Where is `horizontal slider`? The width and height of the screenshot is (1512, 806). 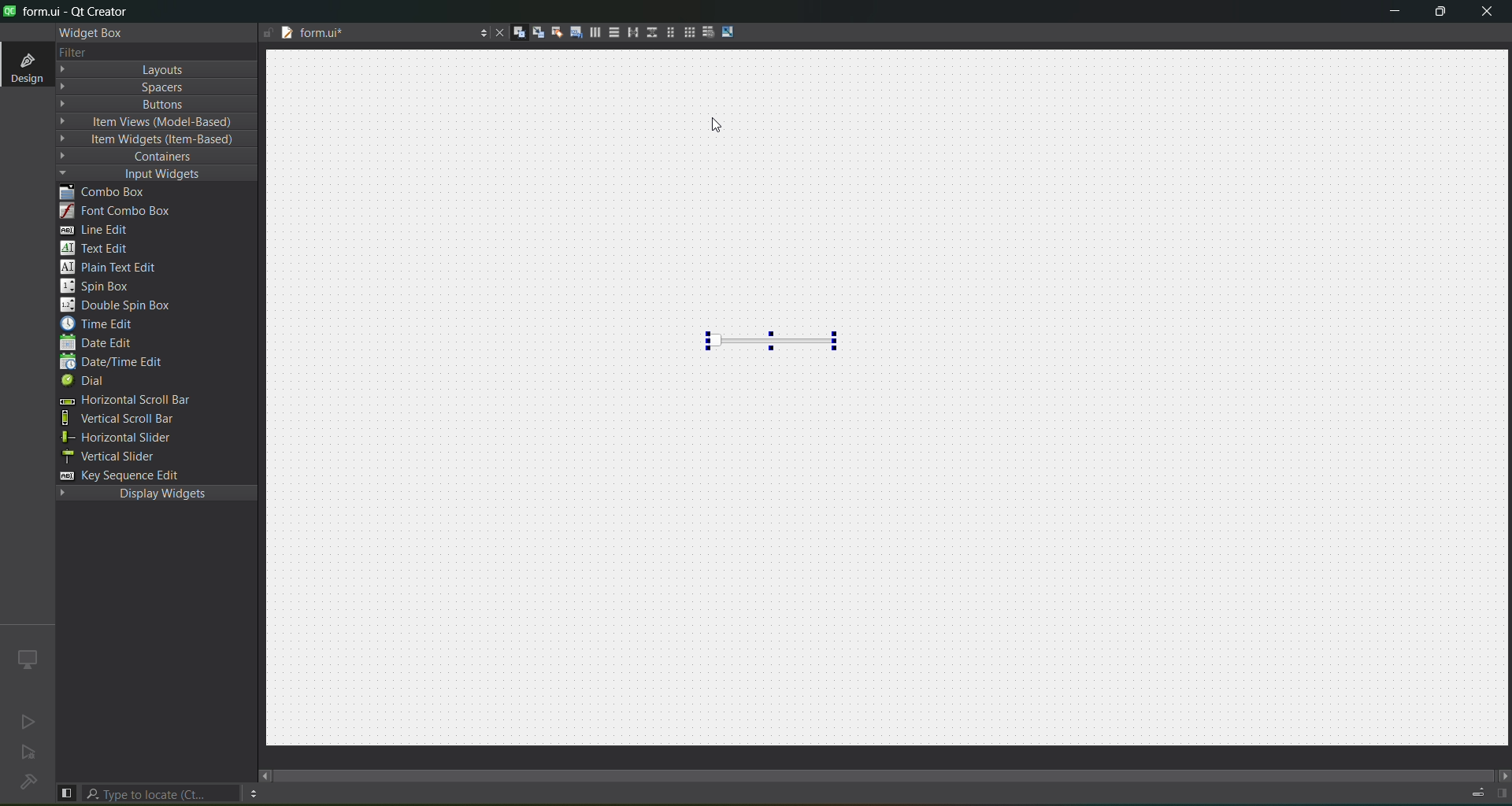 horizontal slider is located at coordinates (776, 340).